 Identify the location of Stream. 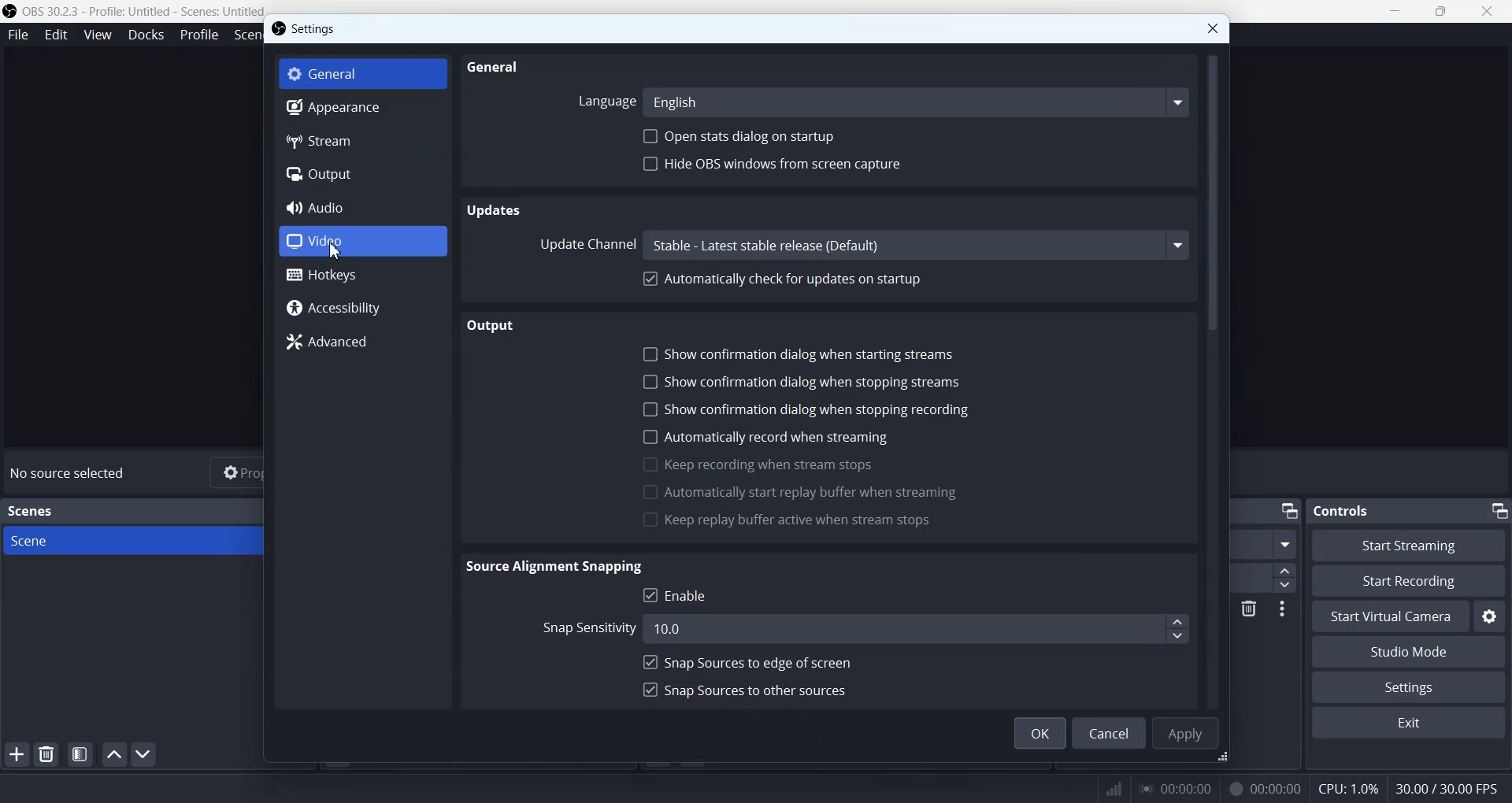
(361, 140).